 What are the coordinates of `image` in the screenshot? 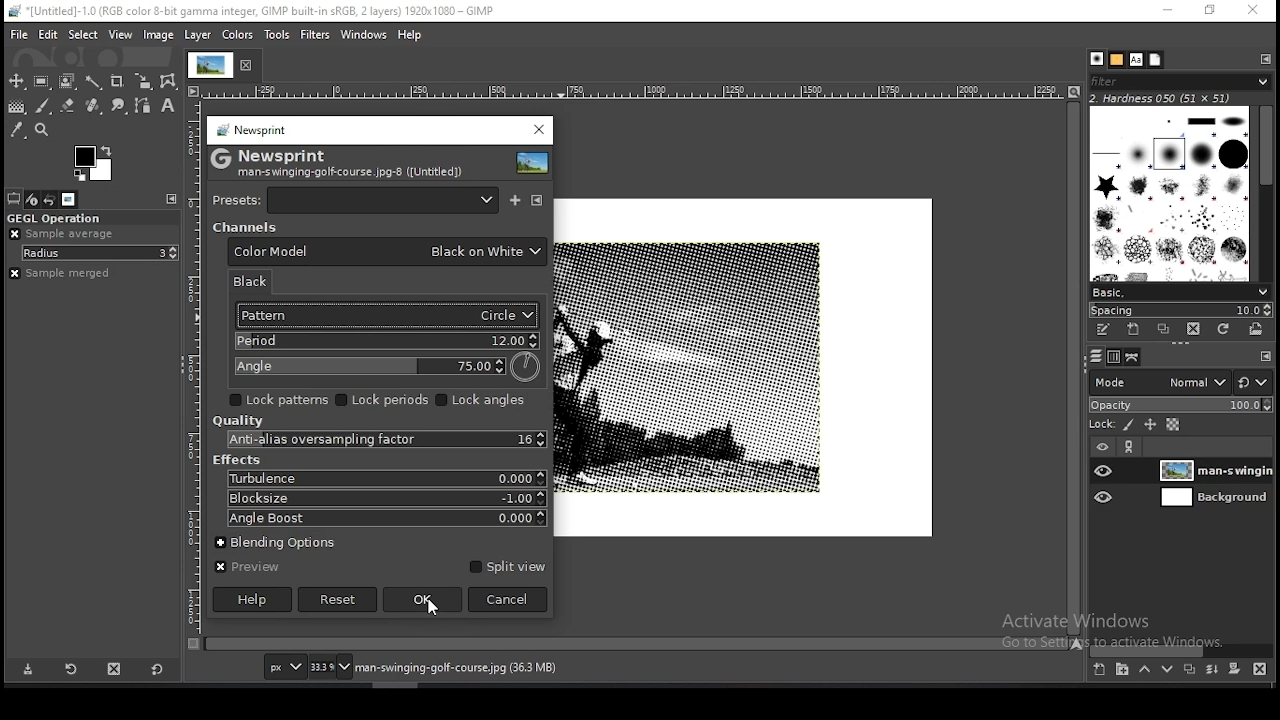 It's located at (159, 35).